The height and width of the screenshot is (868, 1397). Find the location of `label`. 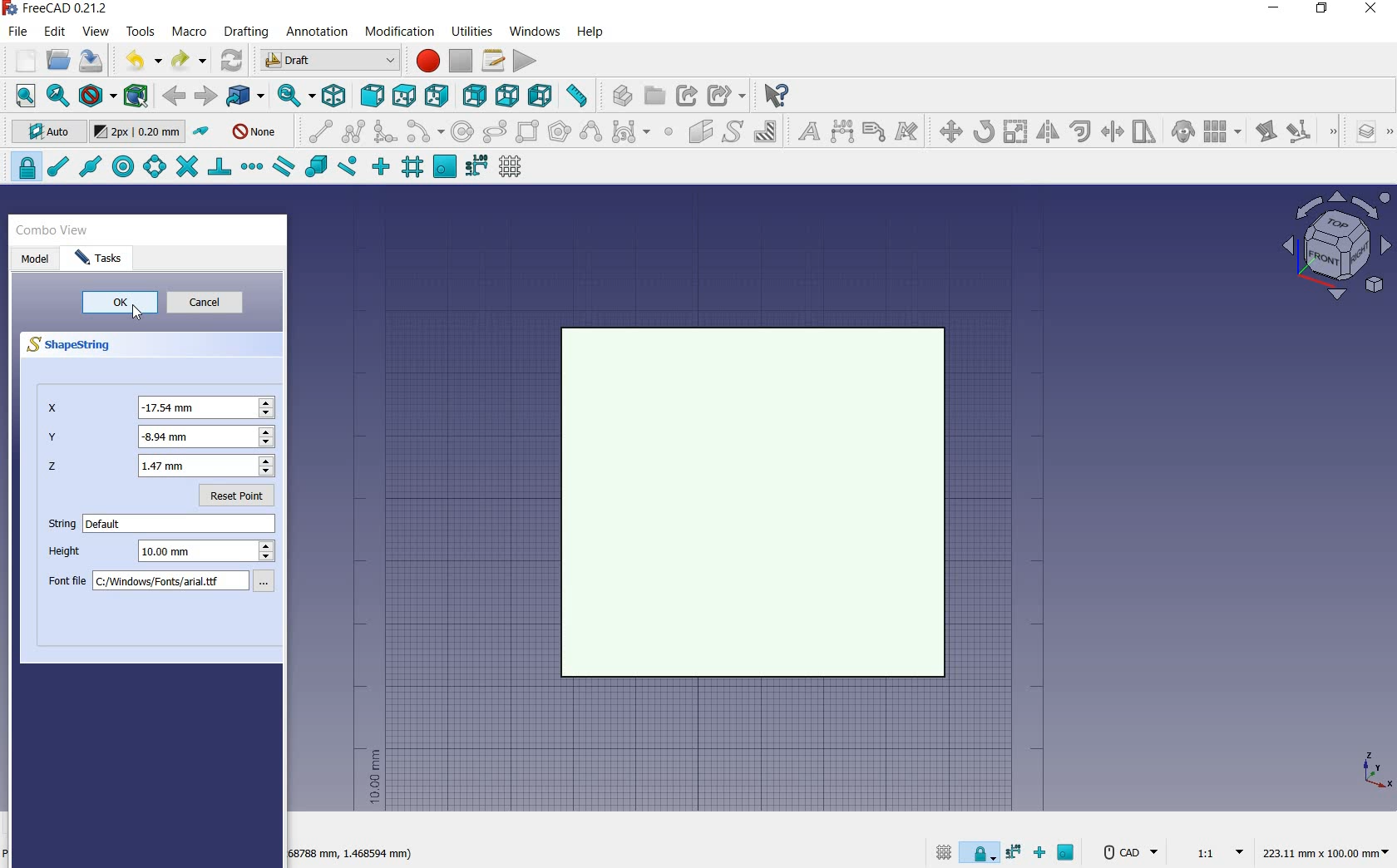

label is located at coordinates (874, 131).